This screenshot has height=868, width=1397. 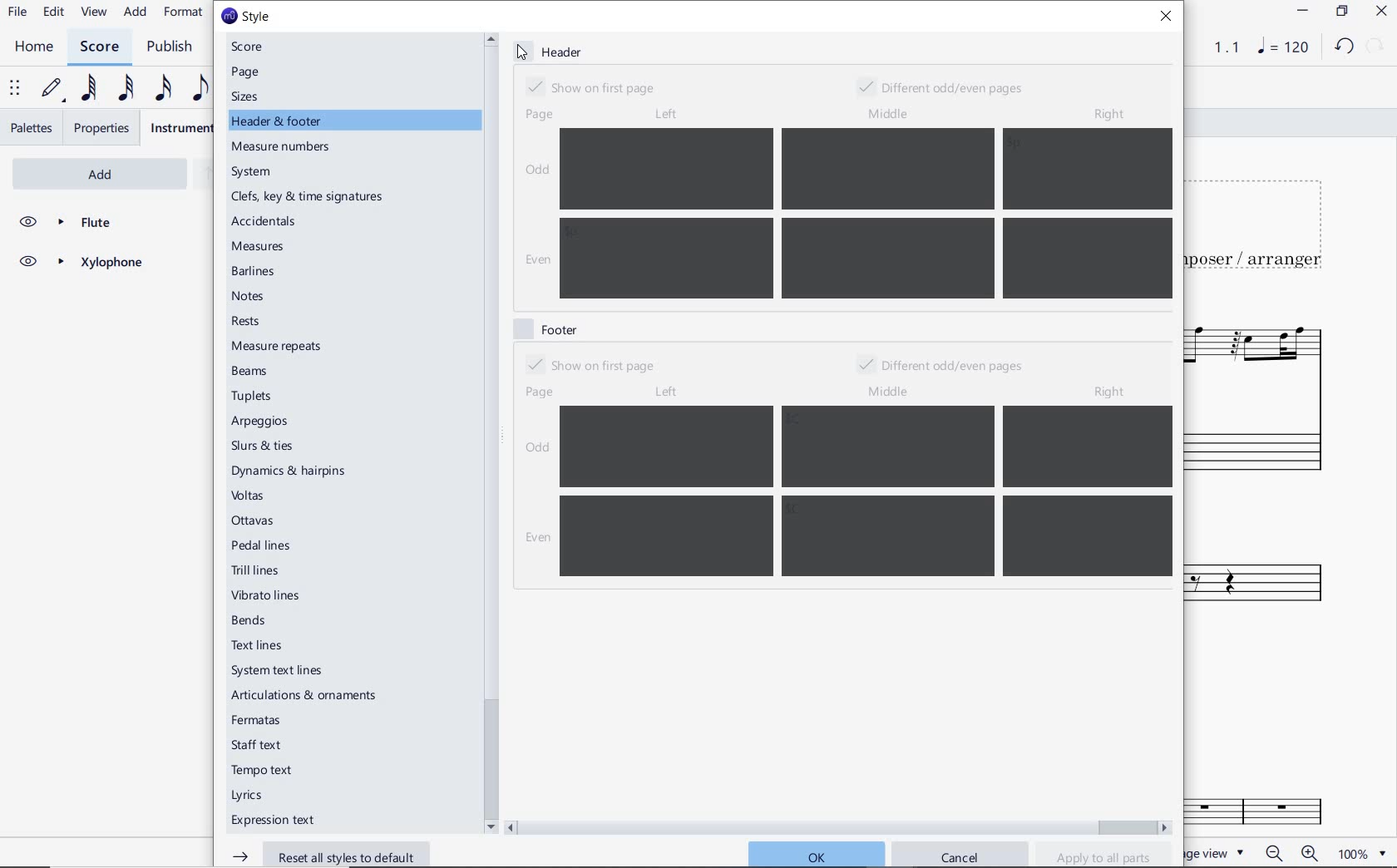 What do you see at coordinates (946, 85) in the screenshot?
I see `different odd/even pages` at bounding box center [946, 85].